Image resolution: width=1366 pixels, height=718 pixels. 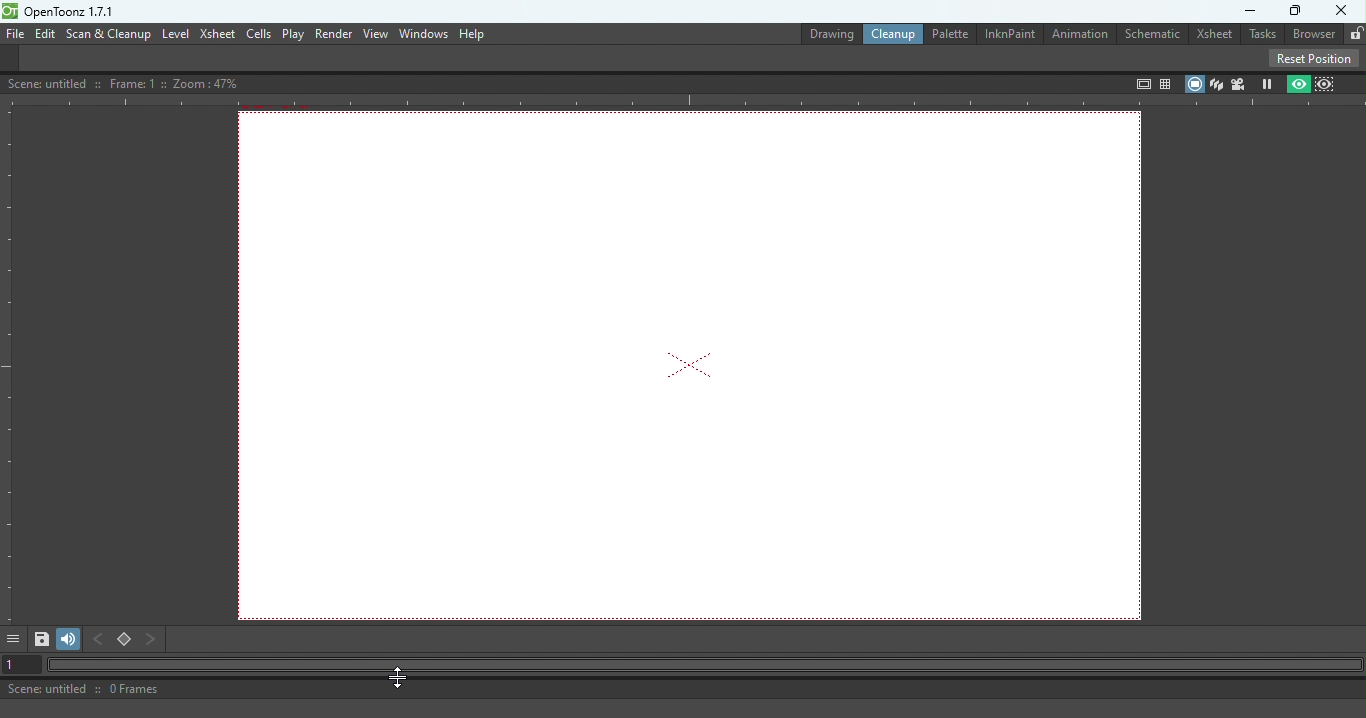 What do you see at coordinates (152, 639) in the screenshot?
I see `Next key` at bounding box center [152, 639].